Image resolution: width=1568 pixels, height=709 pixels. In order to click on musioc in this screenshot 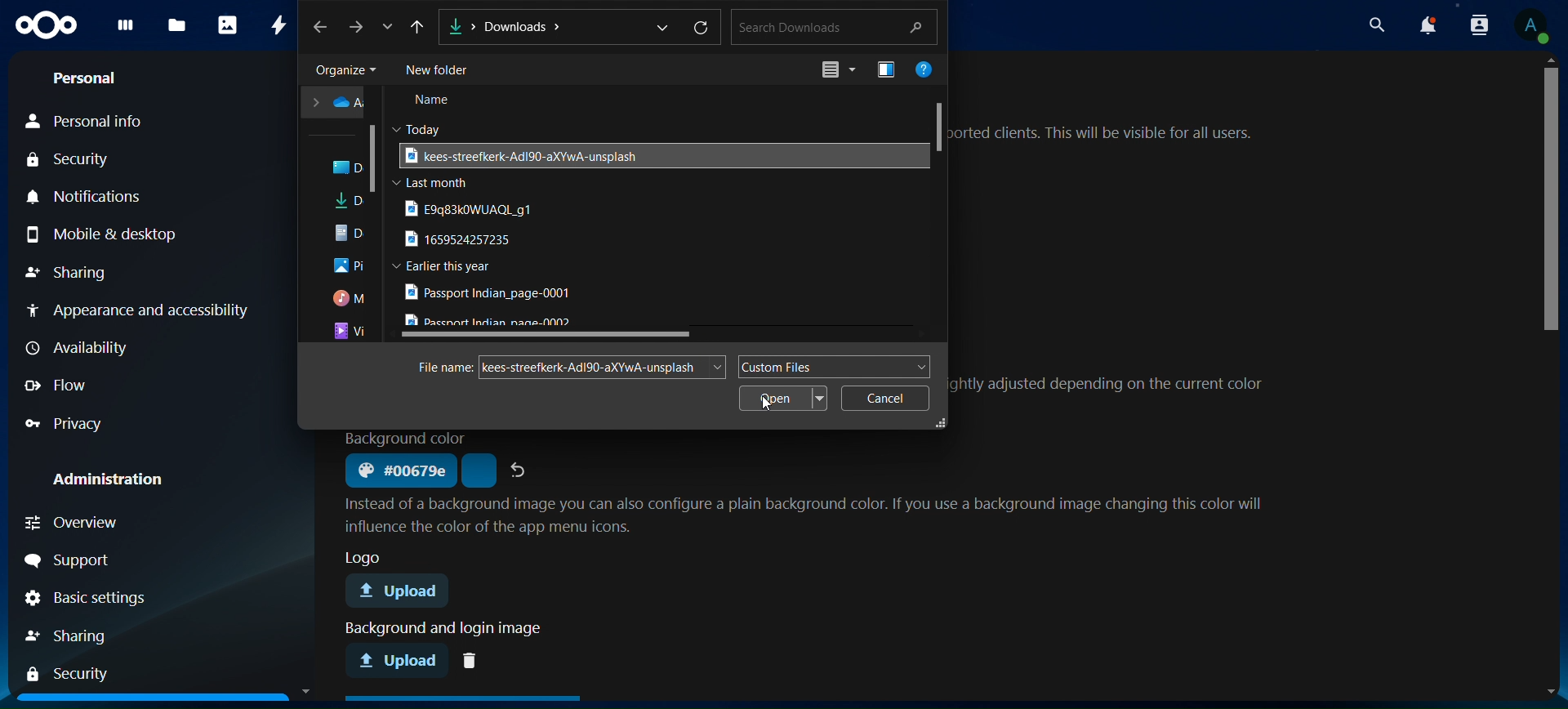, I will do `click(350, 299)`.